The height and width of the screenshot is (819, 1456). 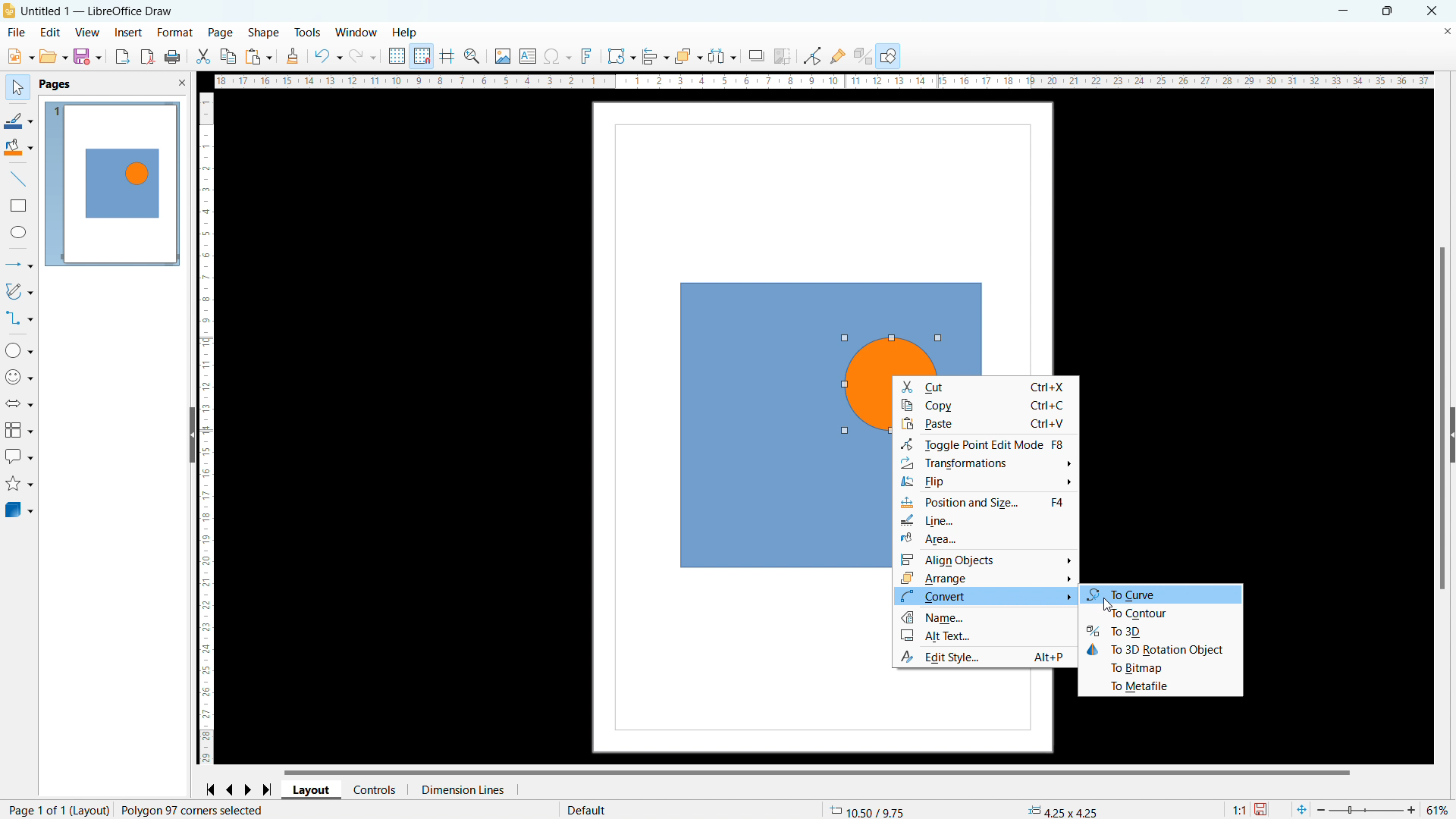 I want to click on curves and polygons, so click(x=19, y=291).